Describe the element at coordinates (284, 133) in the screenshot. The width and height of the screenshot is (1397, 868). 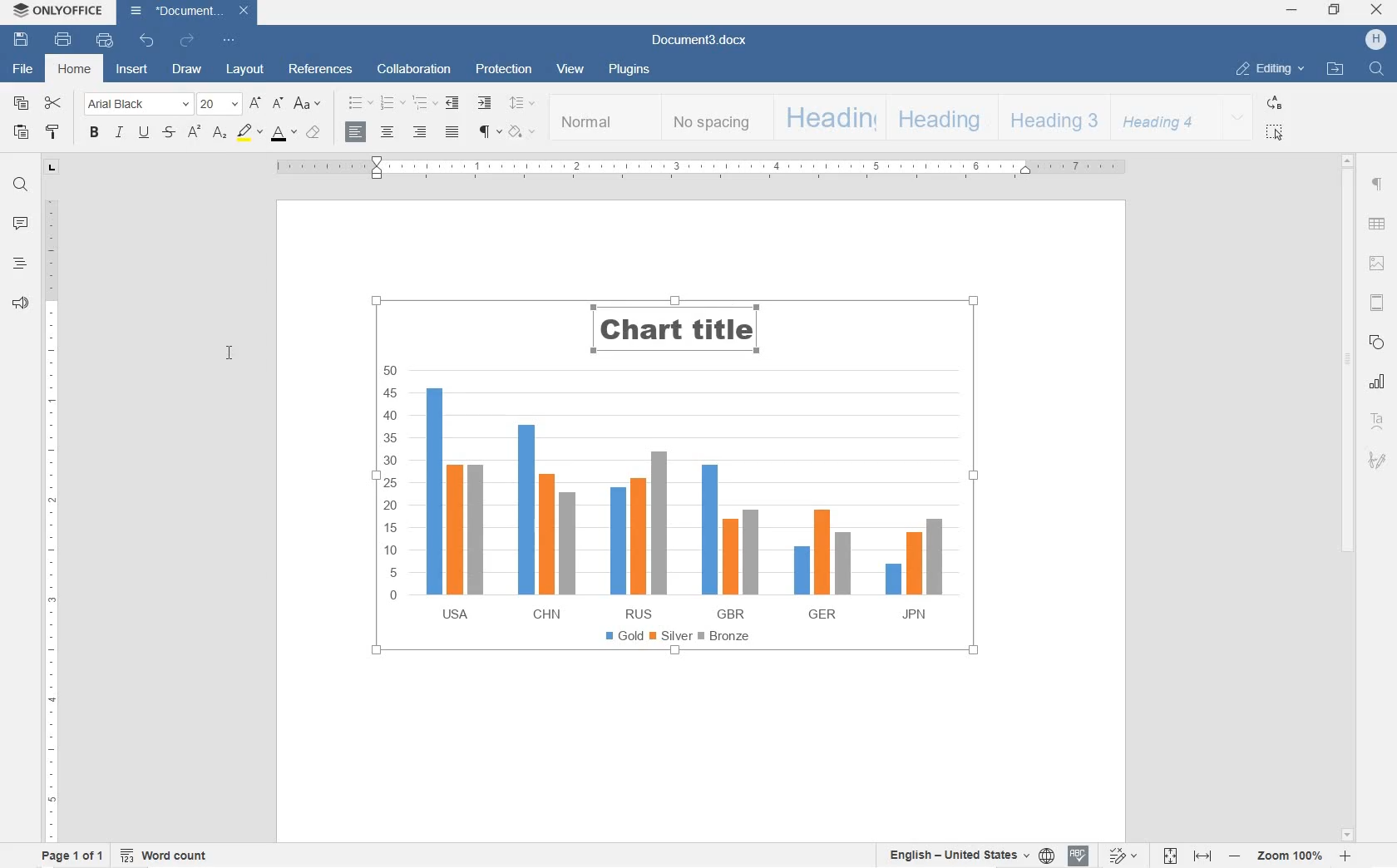
I see `FONT color` at that location.